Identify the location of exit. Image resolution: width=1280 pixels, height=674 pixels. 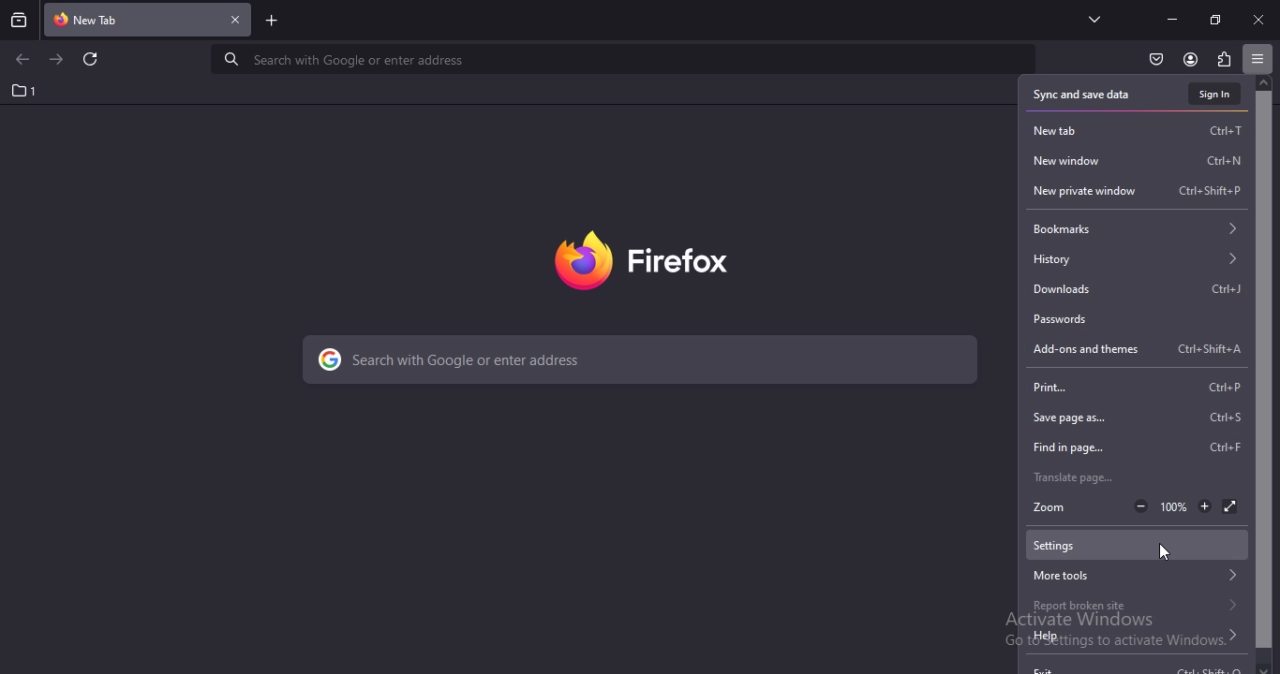
(1136, 663).